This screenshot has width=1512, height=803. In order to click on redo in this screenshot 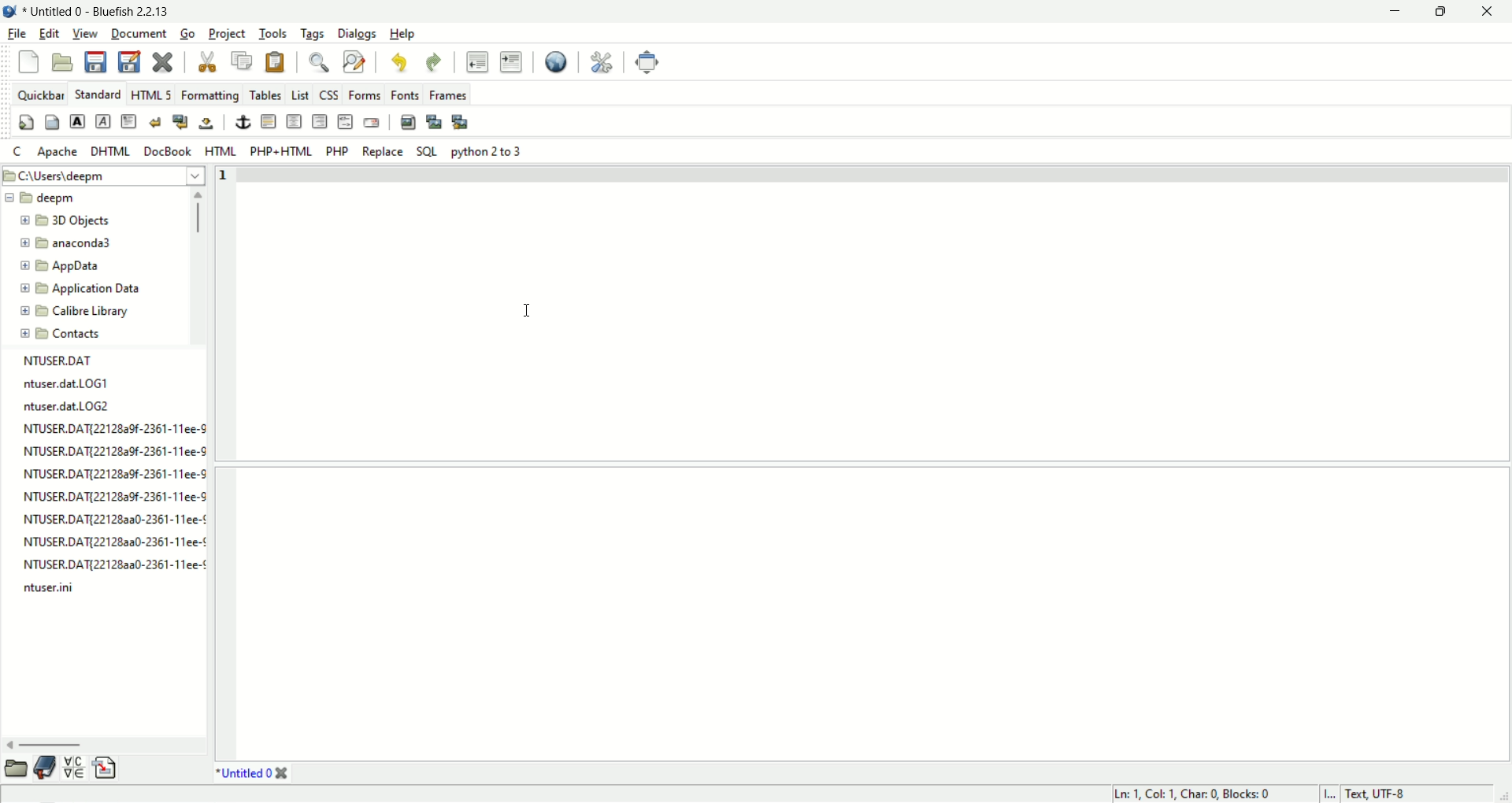, I will do `click(432, 63)`.